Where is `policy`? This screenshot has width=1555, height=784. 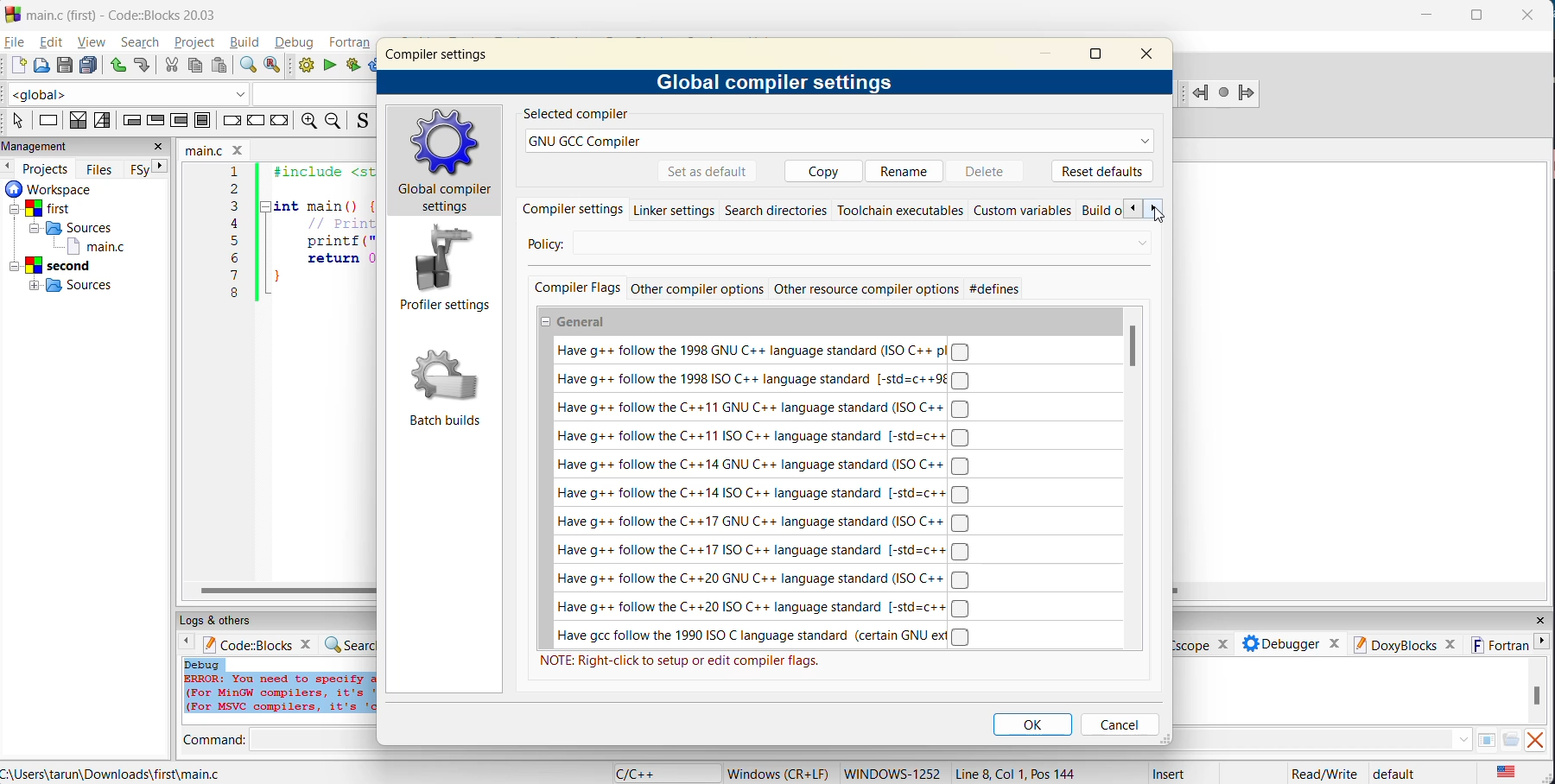 policy is located at coordinates (561, 245).